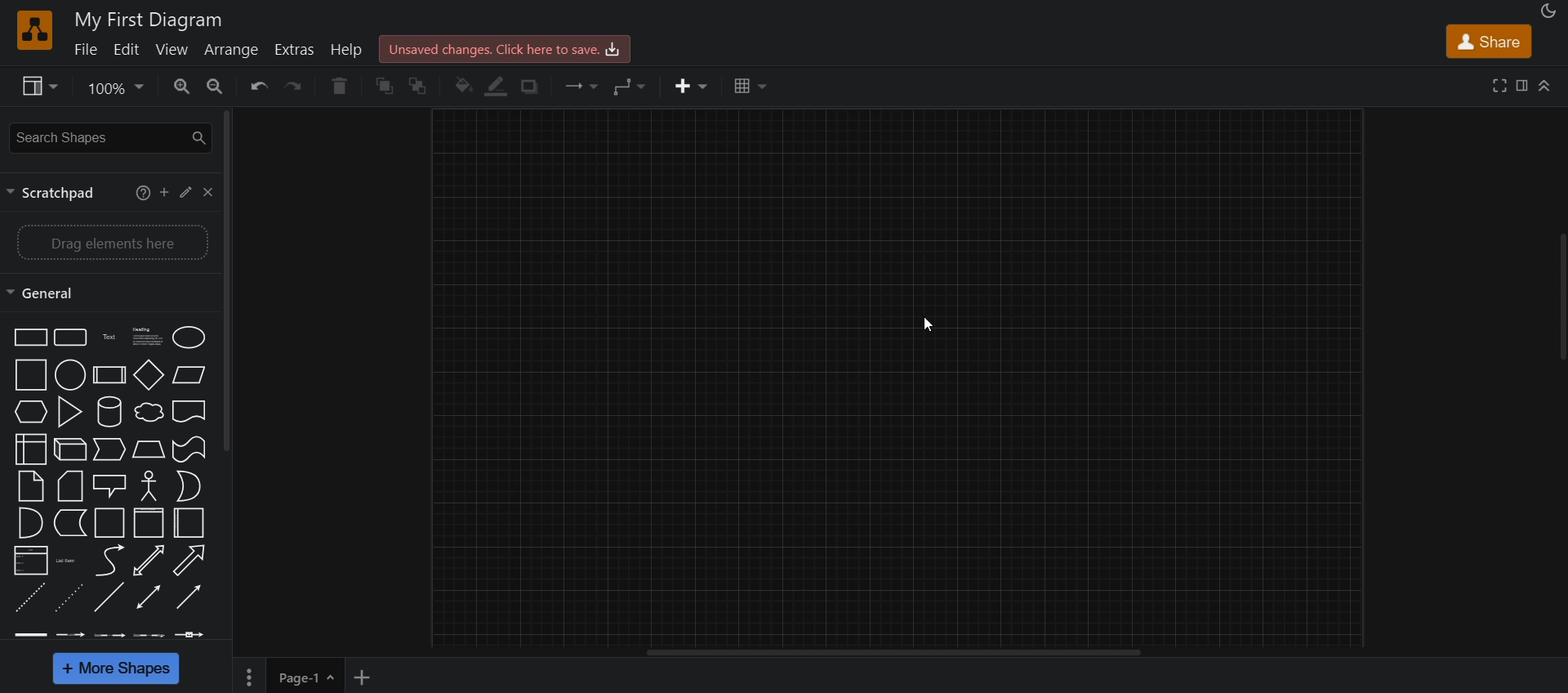 The height and width of the screenshot is (693, 1568). What do you see at coordinates (131, 51) in the screenshot?
I see `edit` at bounding box center [131, 51].